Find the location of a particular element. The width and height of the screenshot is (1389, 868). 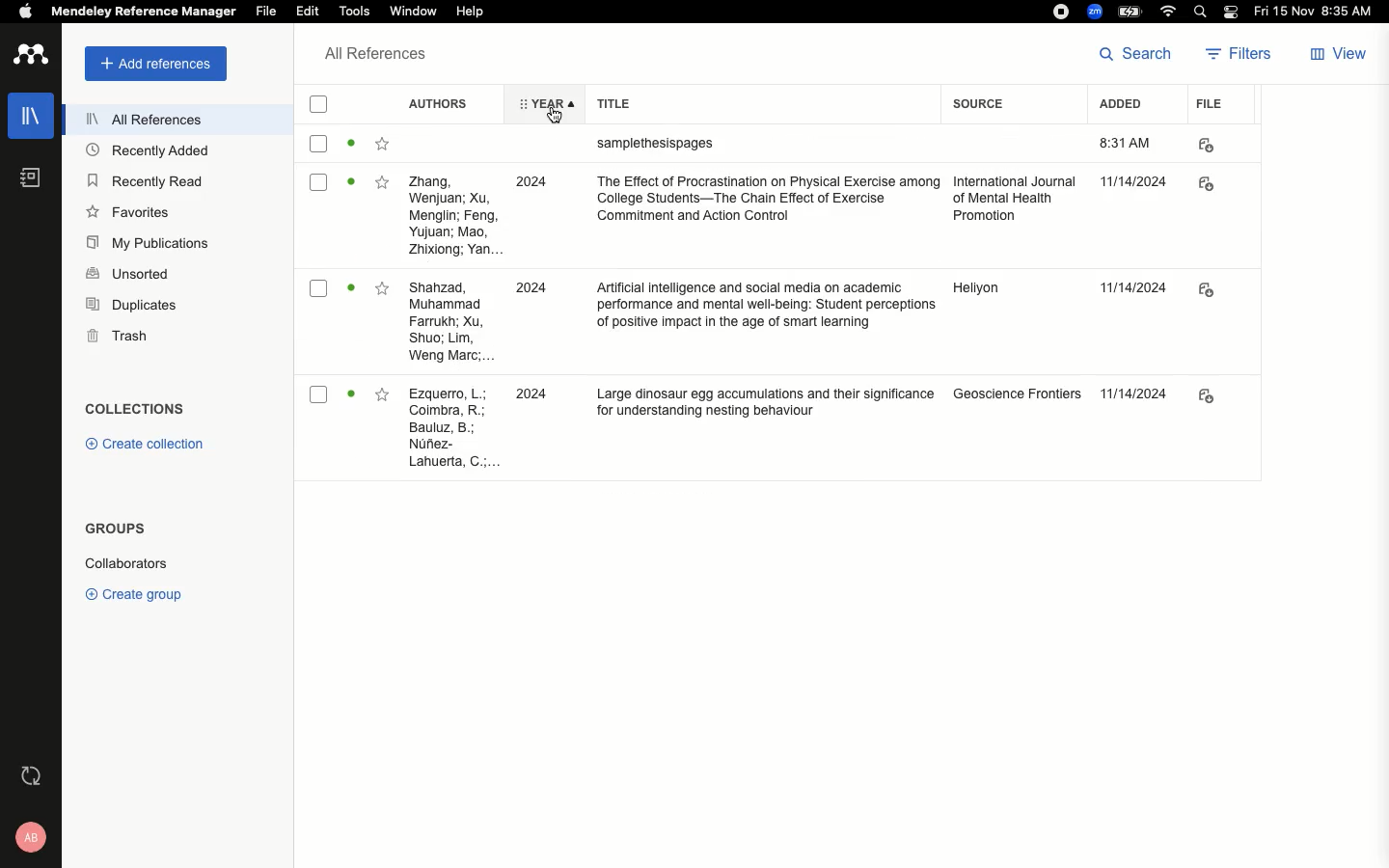

added  is located at coordinates (1133, 290).